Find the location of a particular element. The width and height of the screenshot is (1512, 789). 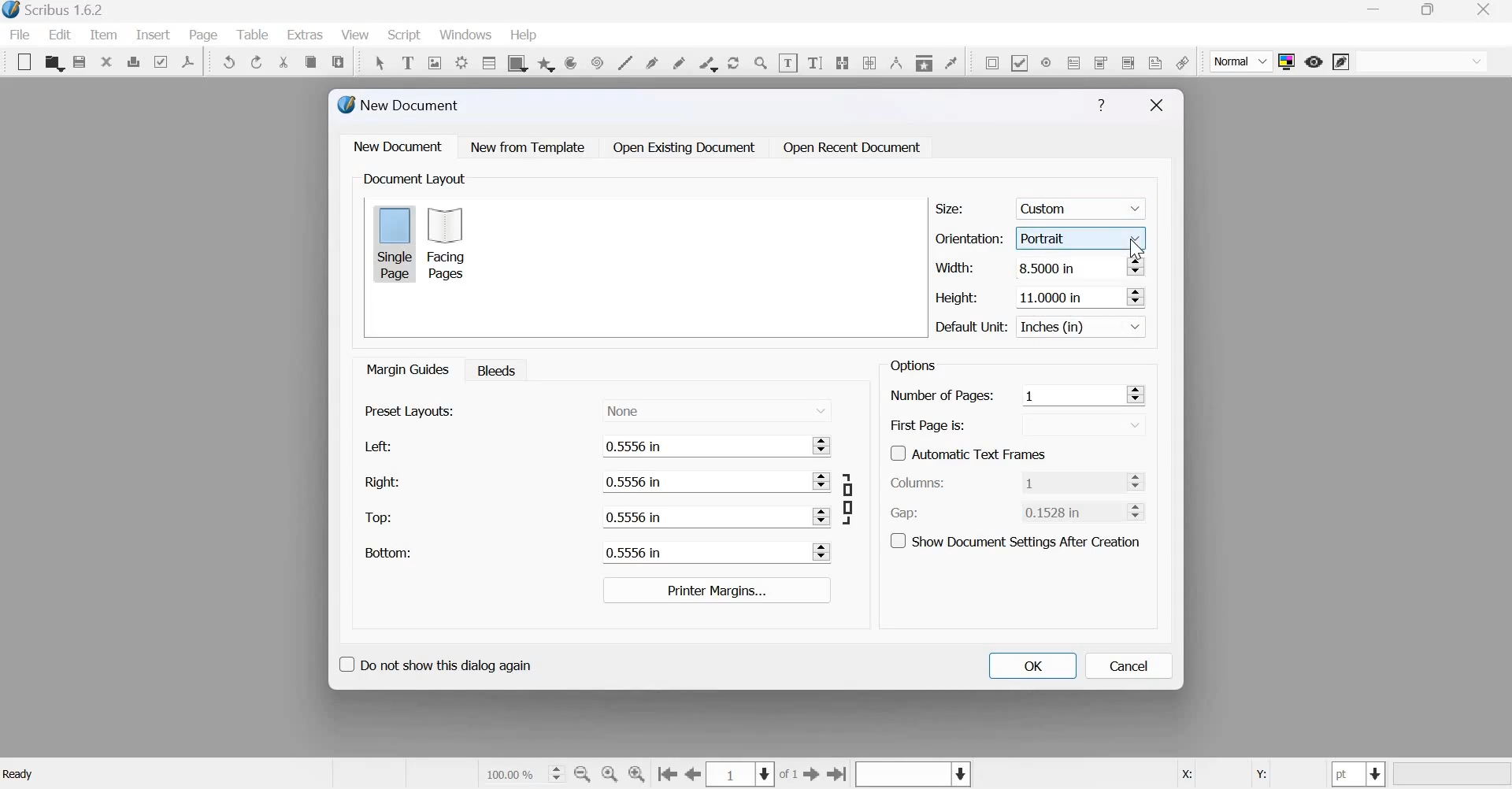

Default Unit:  is located at coordinates (972, 328).